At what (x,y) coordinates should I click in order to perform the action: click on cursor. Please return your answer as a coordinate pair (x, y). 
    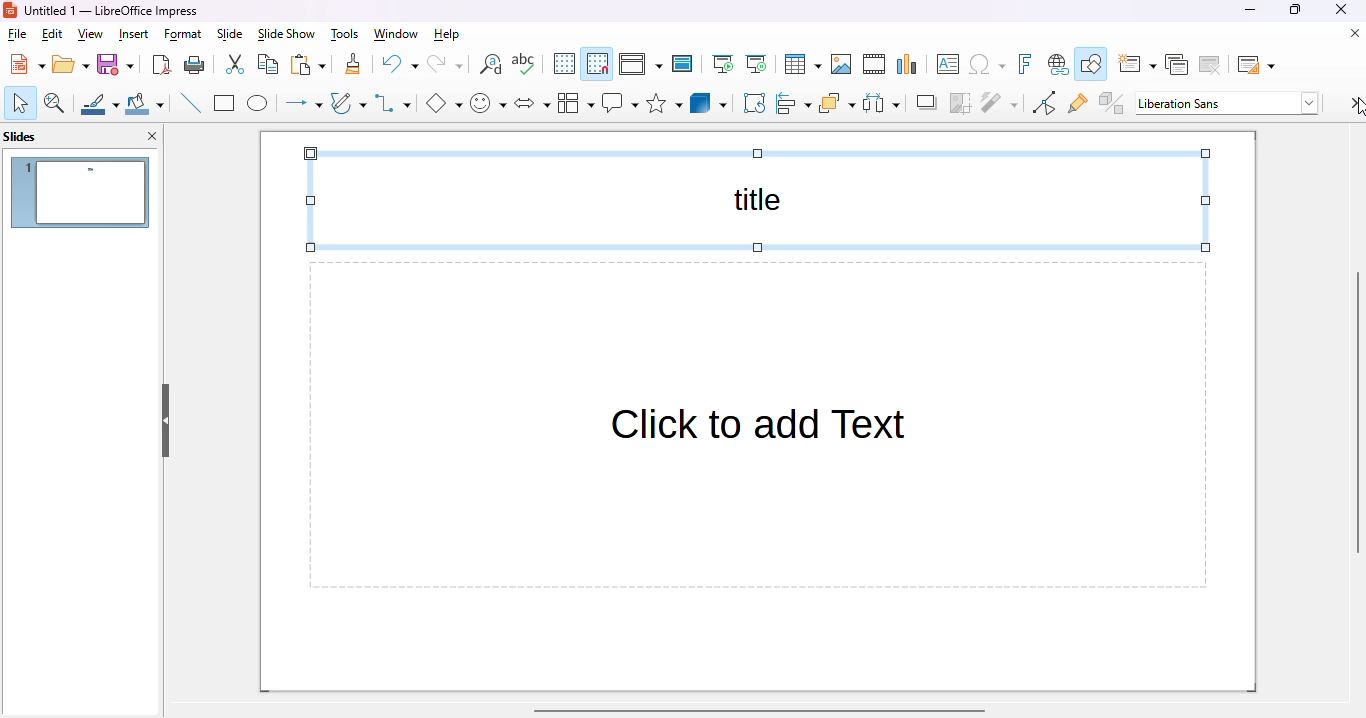
    Looking at the image, I should click on (1357, 107).